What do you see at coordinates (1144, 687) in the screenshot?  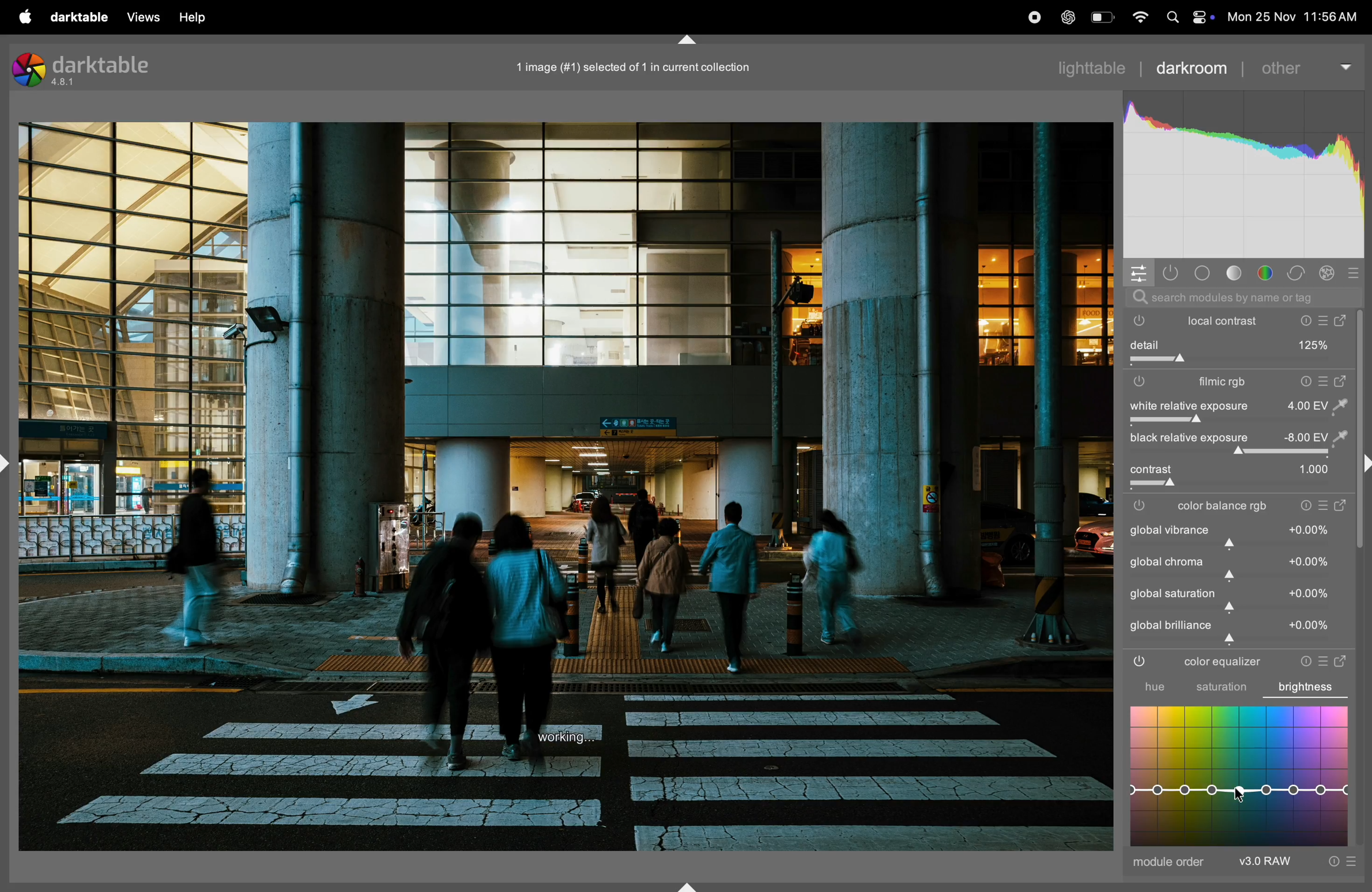 I see `hue` at bounding box center [1144, 687].